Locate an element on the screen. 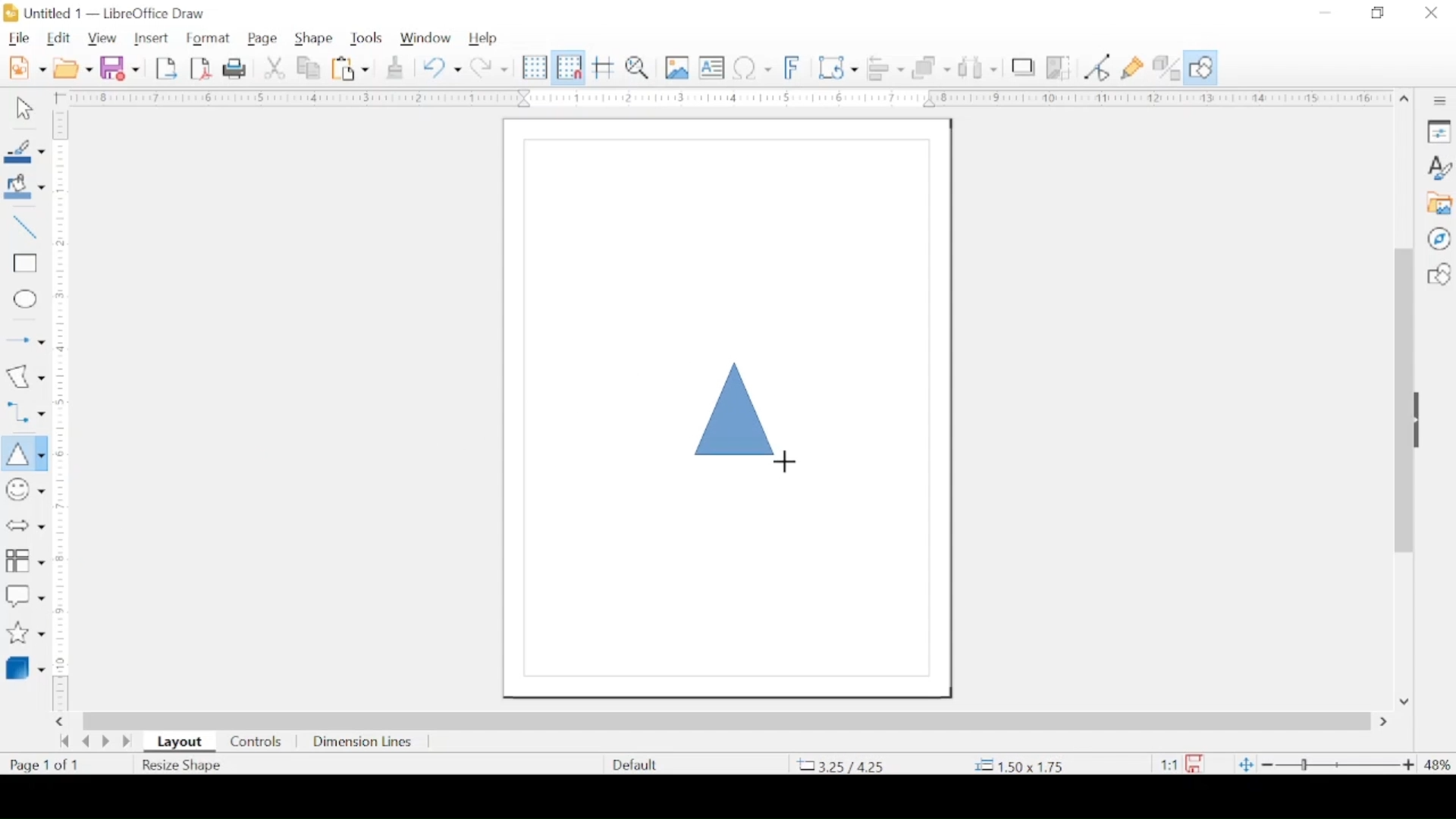  minimize is located at coordinates (1323, 13).